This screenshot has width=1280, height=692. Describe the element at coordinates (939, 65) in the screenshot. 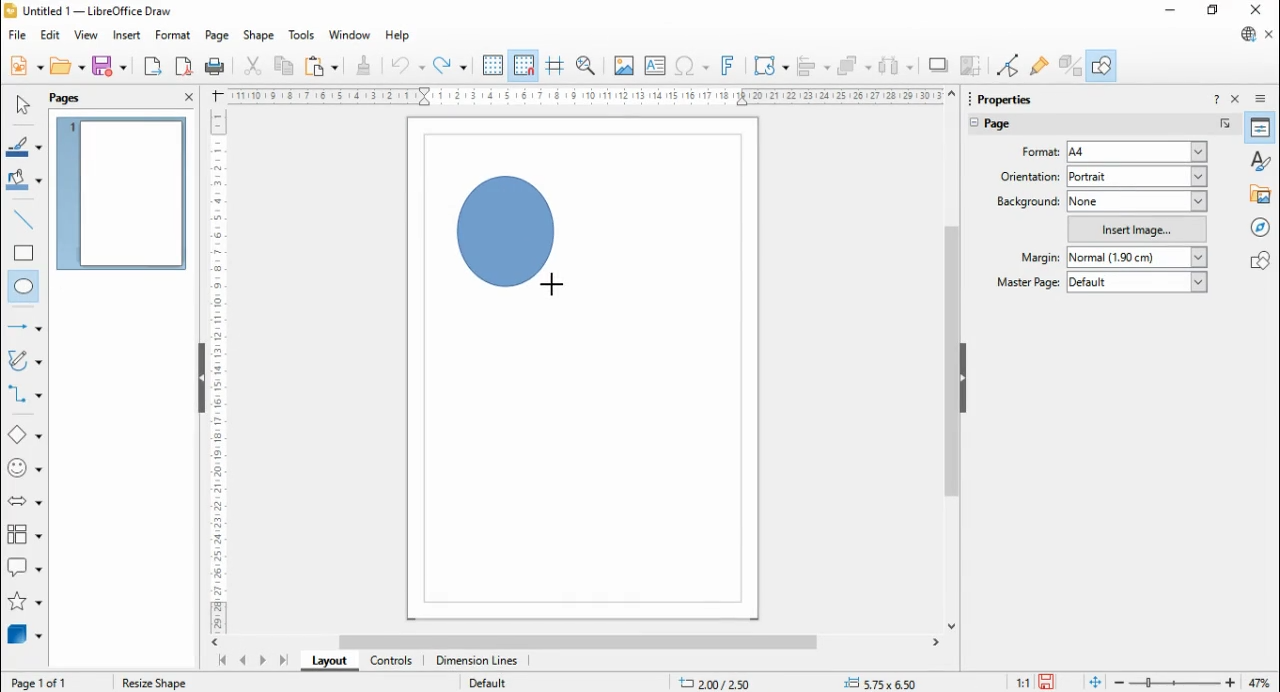

I see `shadow` at that location.